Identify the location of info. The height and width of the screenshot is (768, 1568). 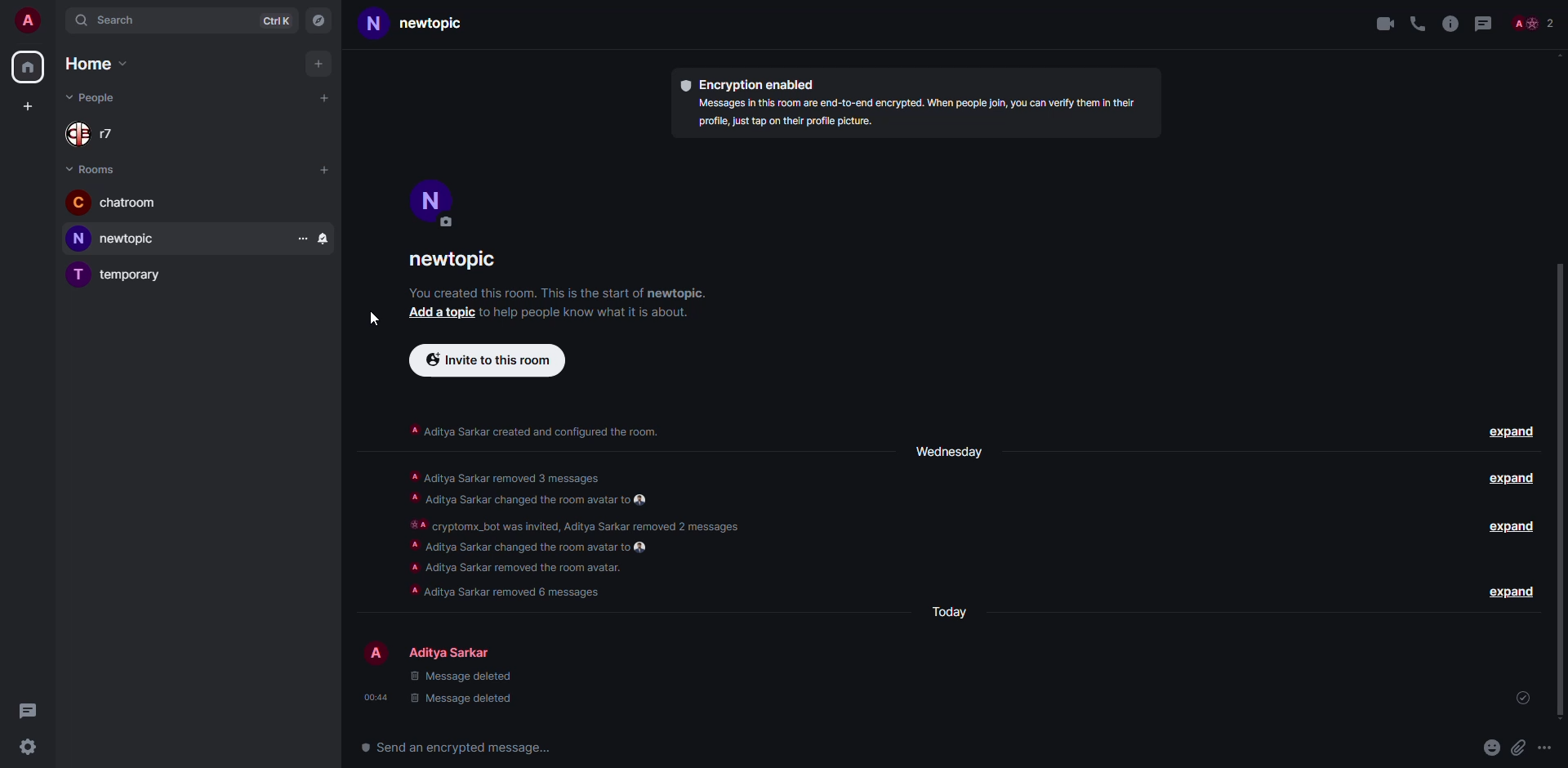
(919, 114).